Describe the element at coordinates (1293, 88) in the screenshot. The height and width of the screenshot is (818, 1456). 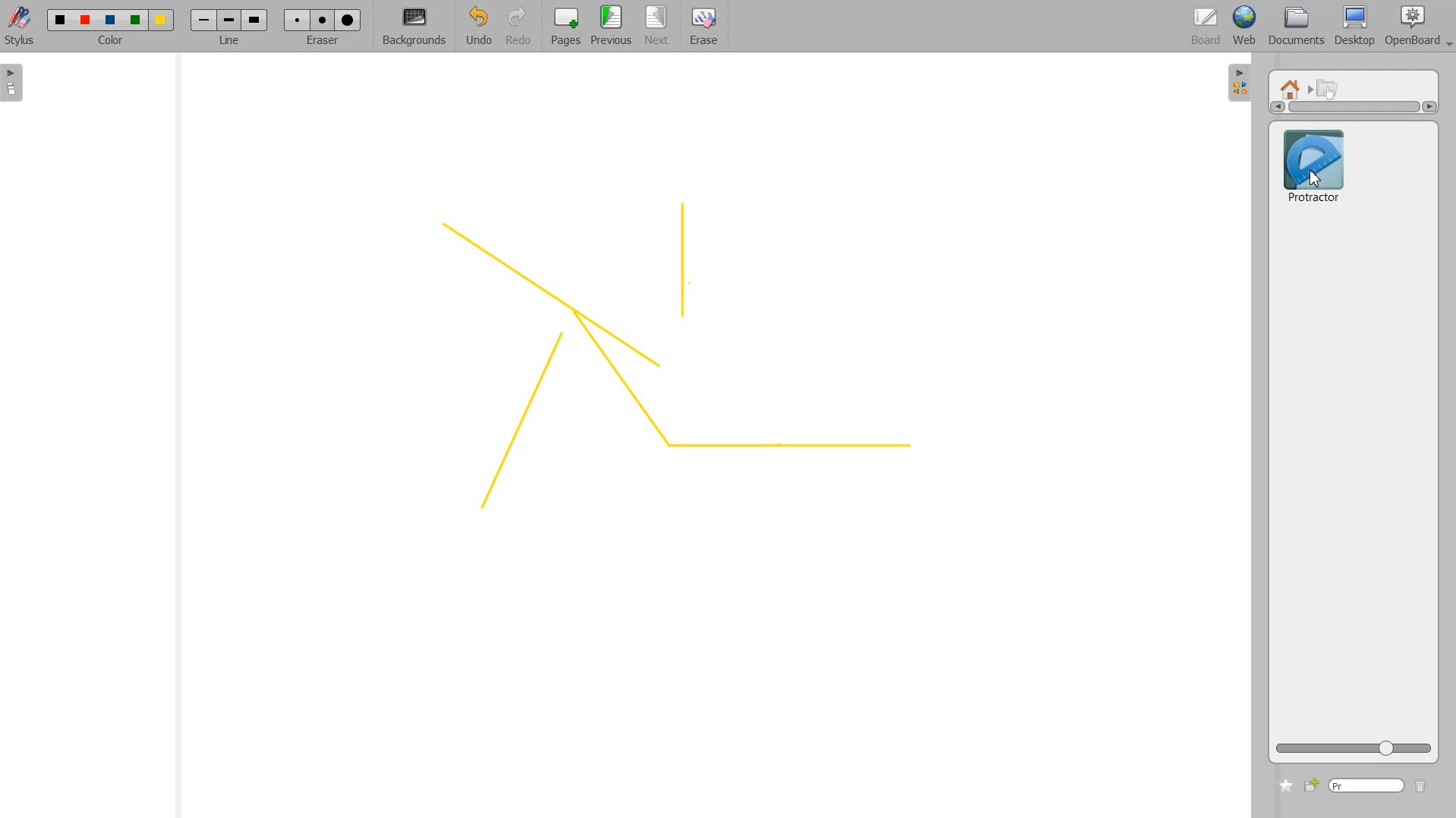
I see `Home` at that location.